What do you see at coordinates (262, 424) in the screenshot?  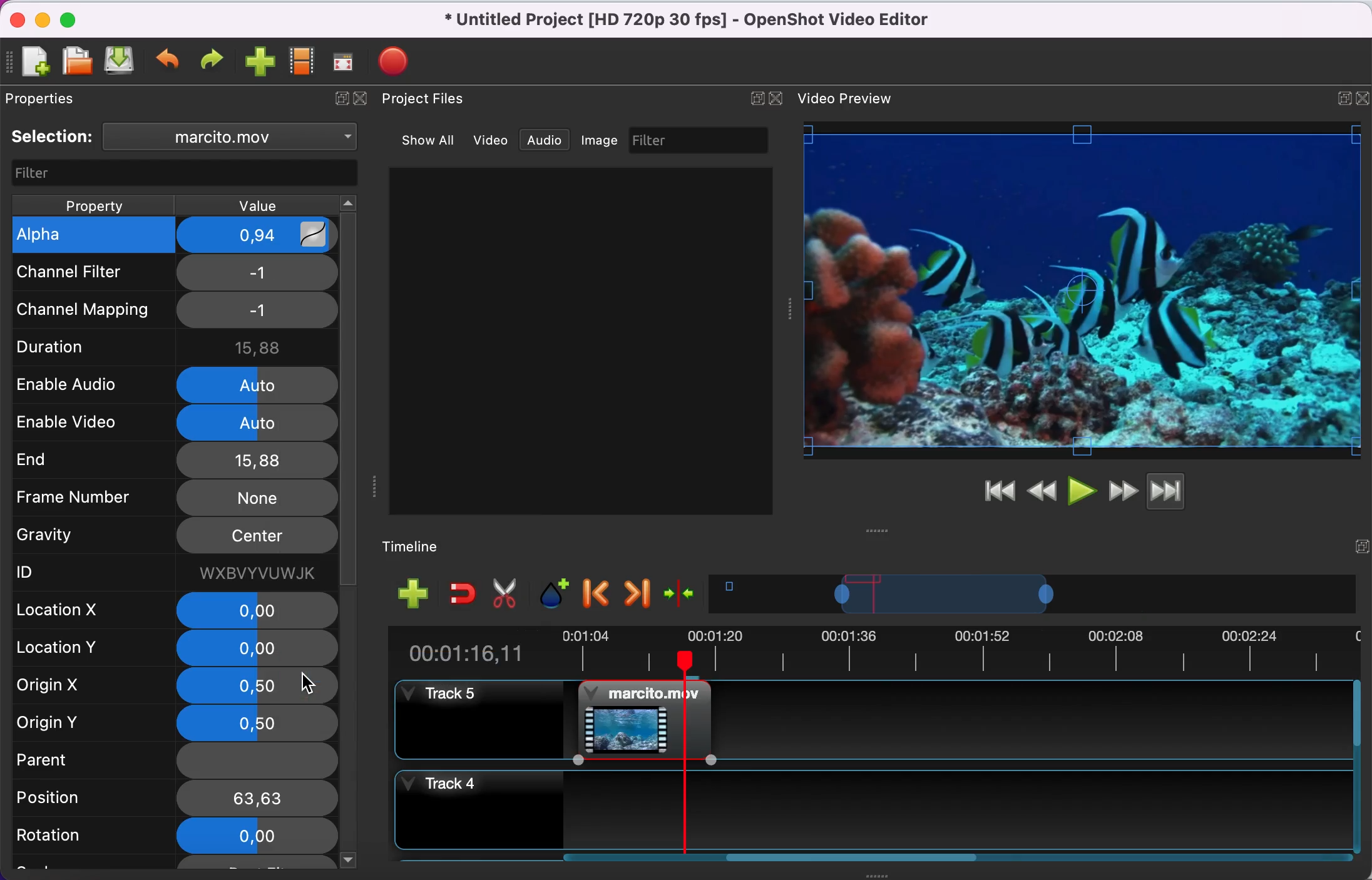 I see `Auto` at bounding box center [262, 424].